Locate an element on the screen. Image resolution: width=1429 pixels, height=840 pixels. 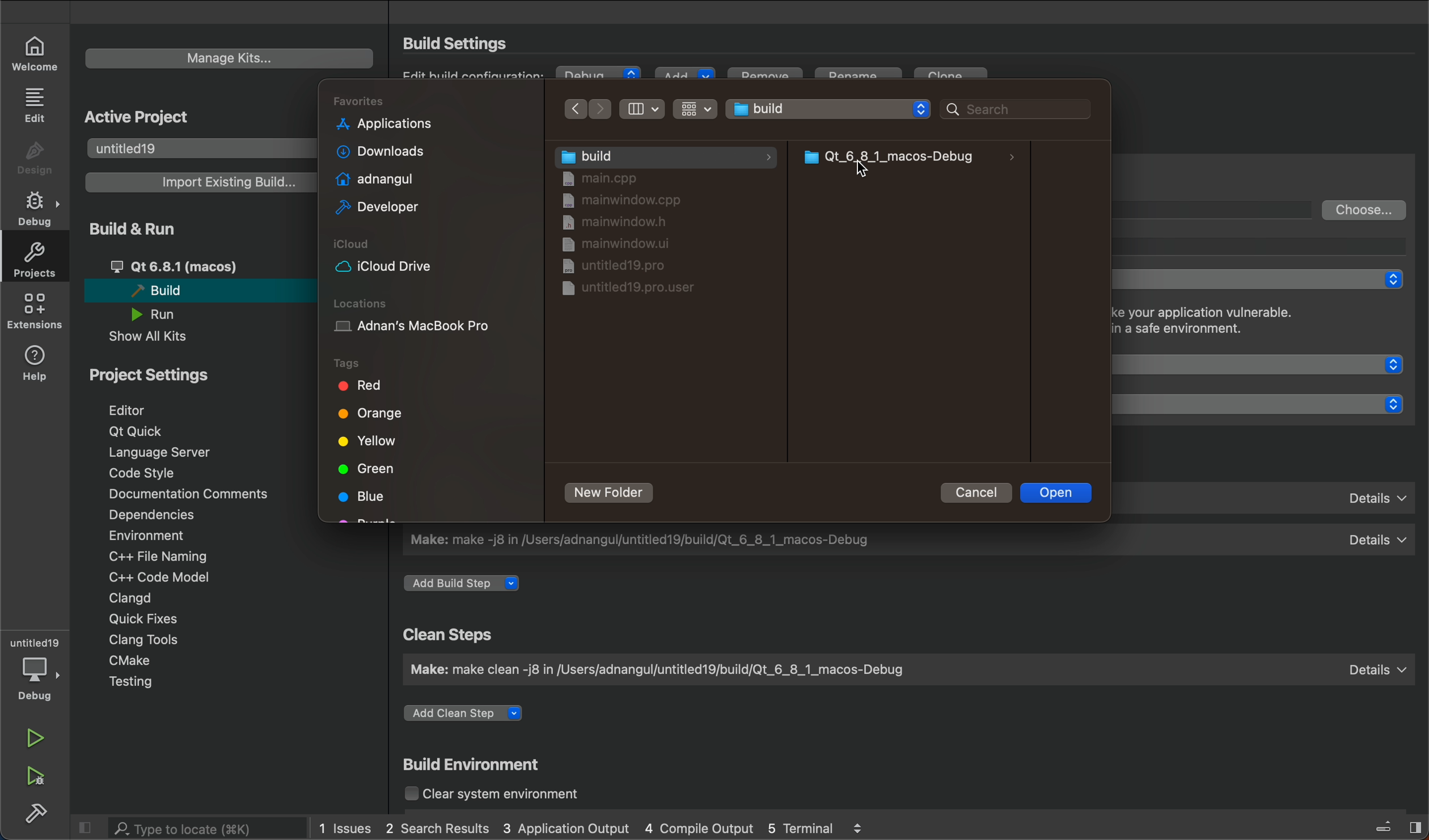
tooltp is located at coordinates (1270, 245).